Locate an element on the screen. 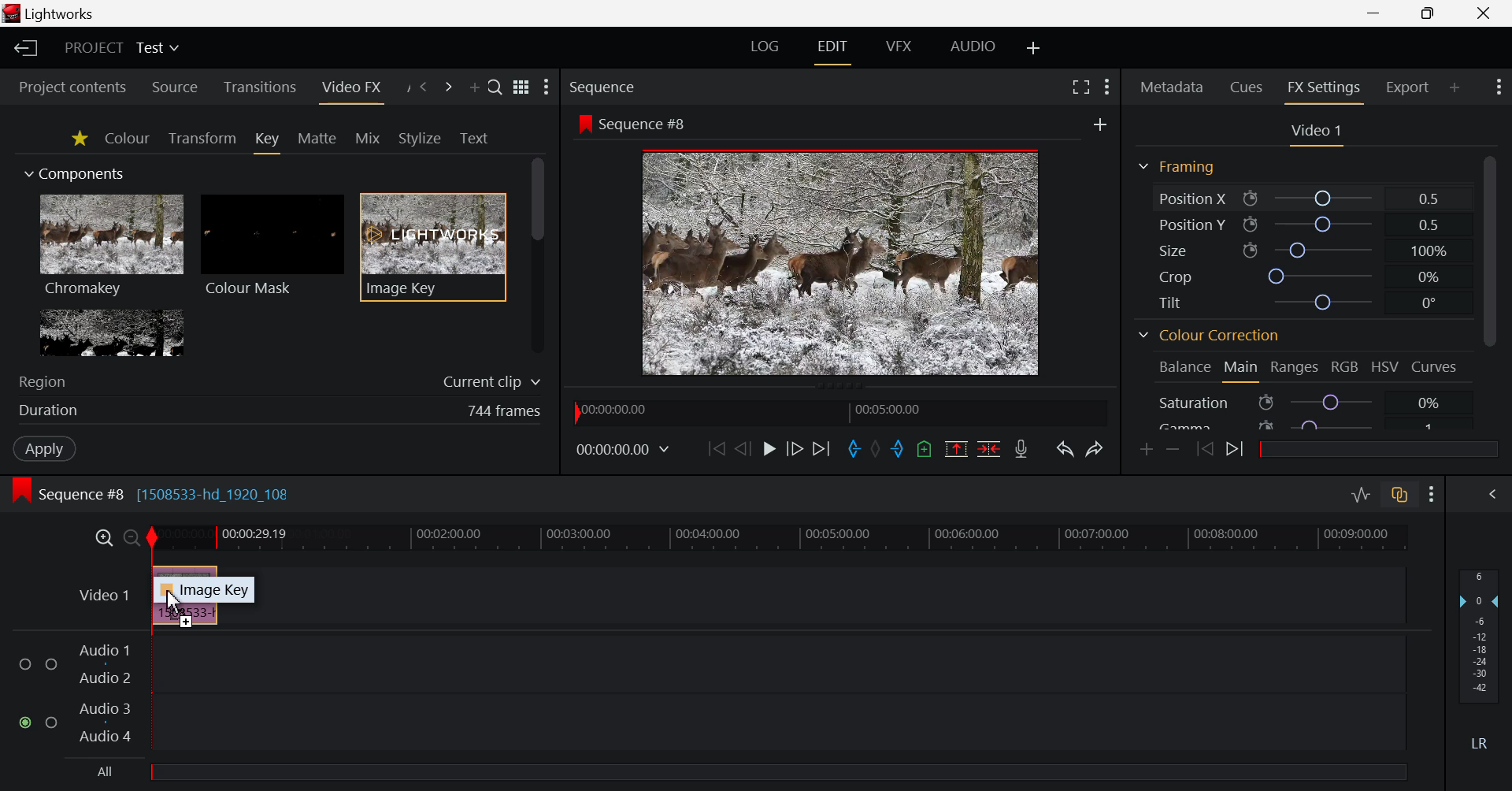 The image size is (1512, 791). Sequence #8 is located at coordinates (646, 124).